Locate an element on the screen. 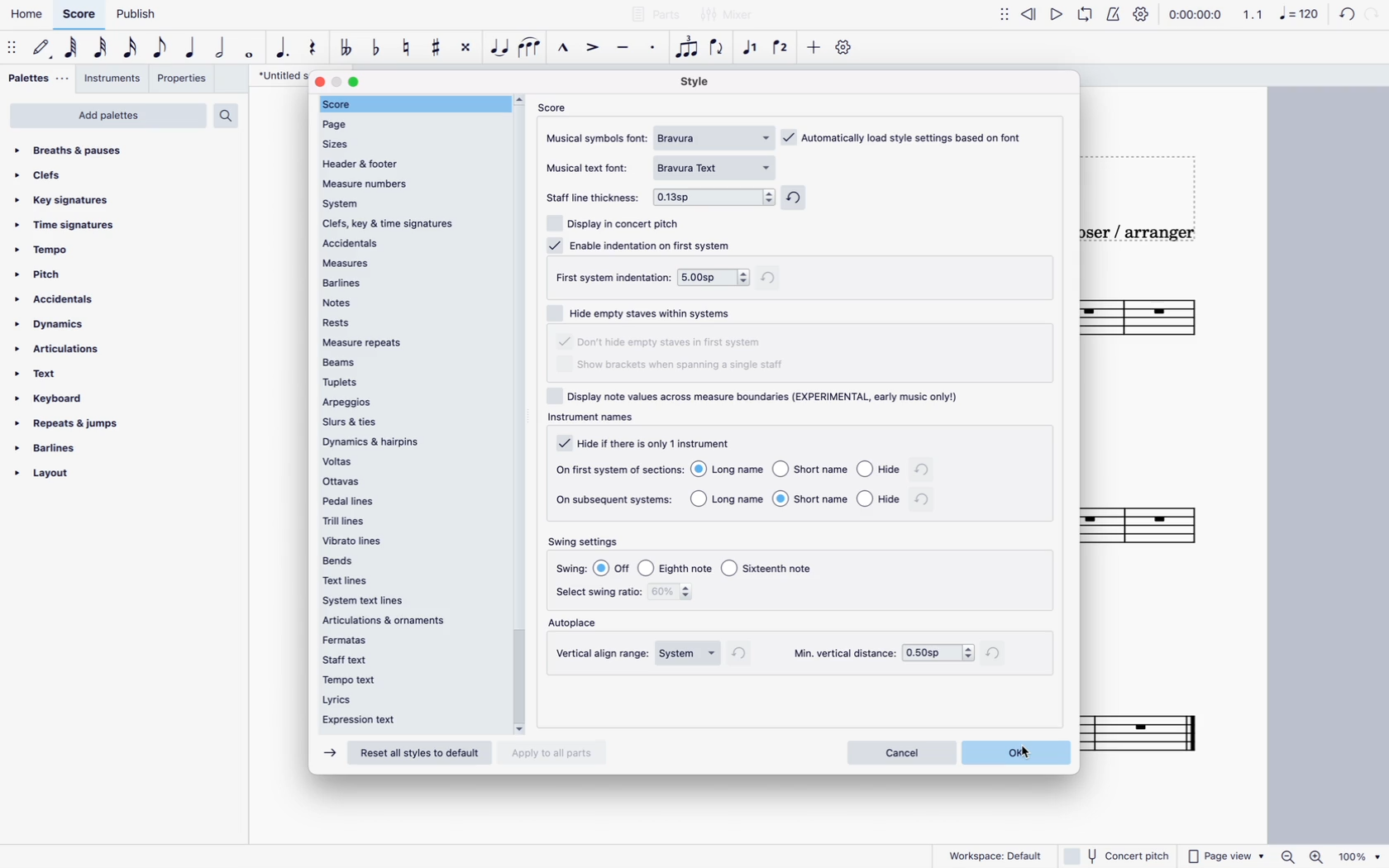 This screenshot has width=1389, height=868. first system indentation is located at coordinates (615, 277).